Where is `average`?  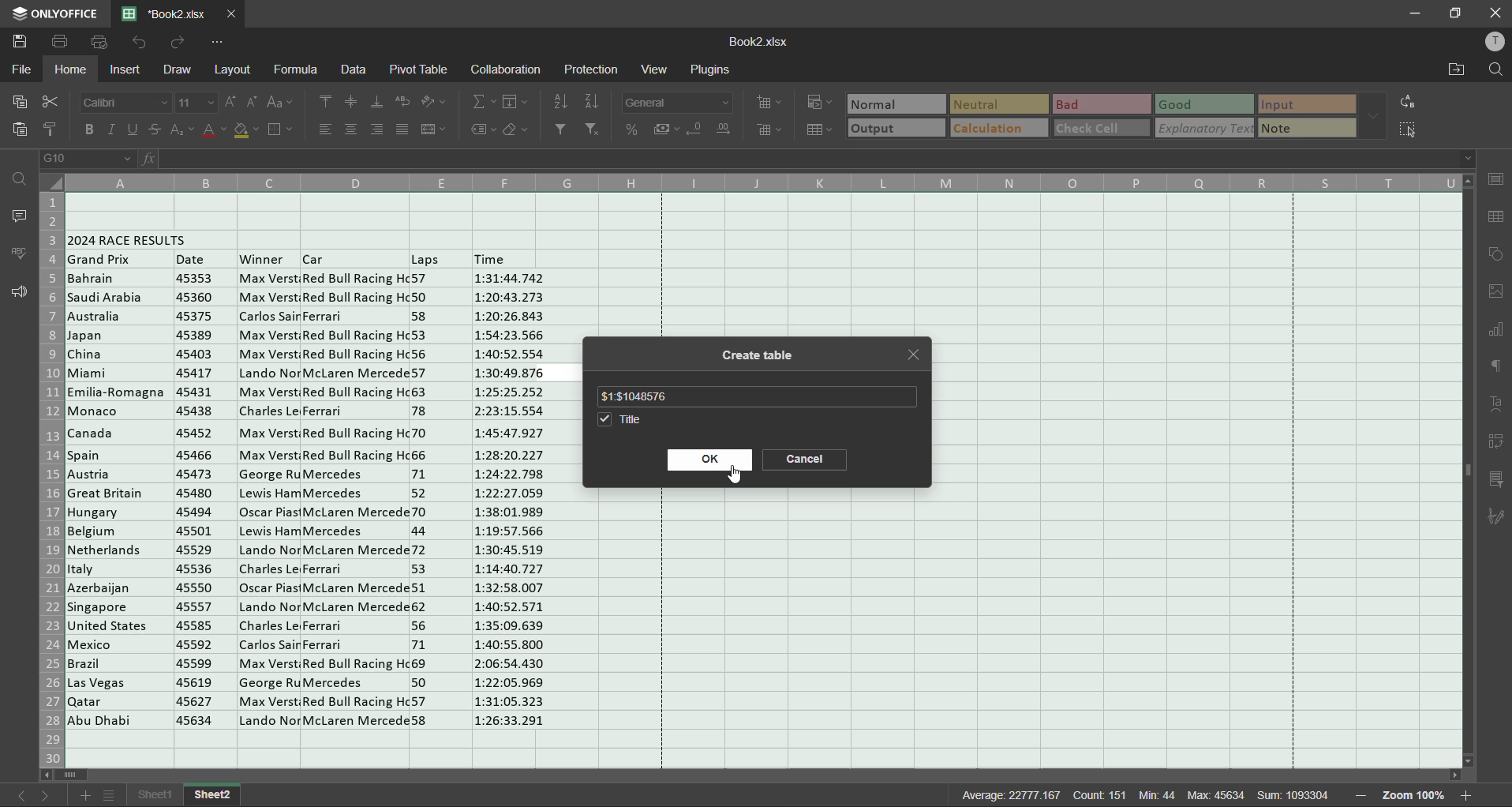 average is located at coordinates (1011, 794).